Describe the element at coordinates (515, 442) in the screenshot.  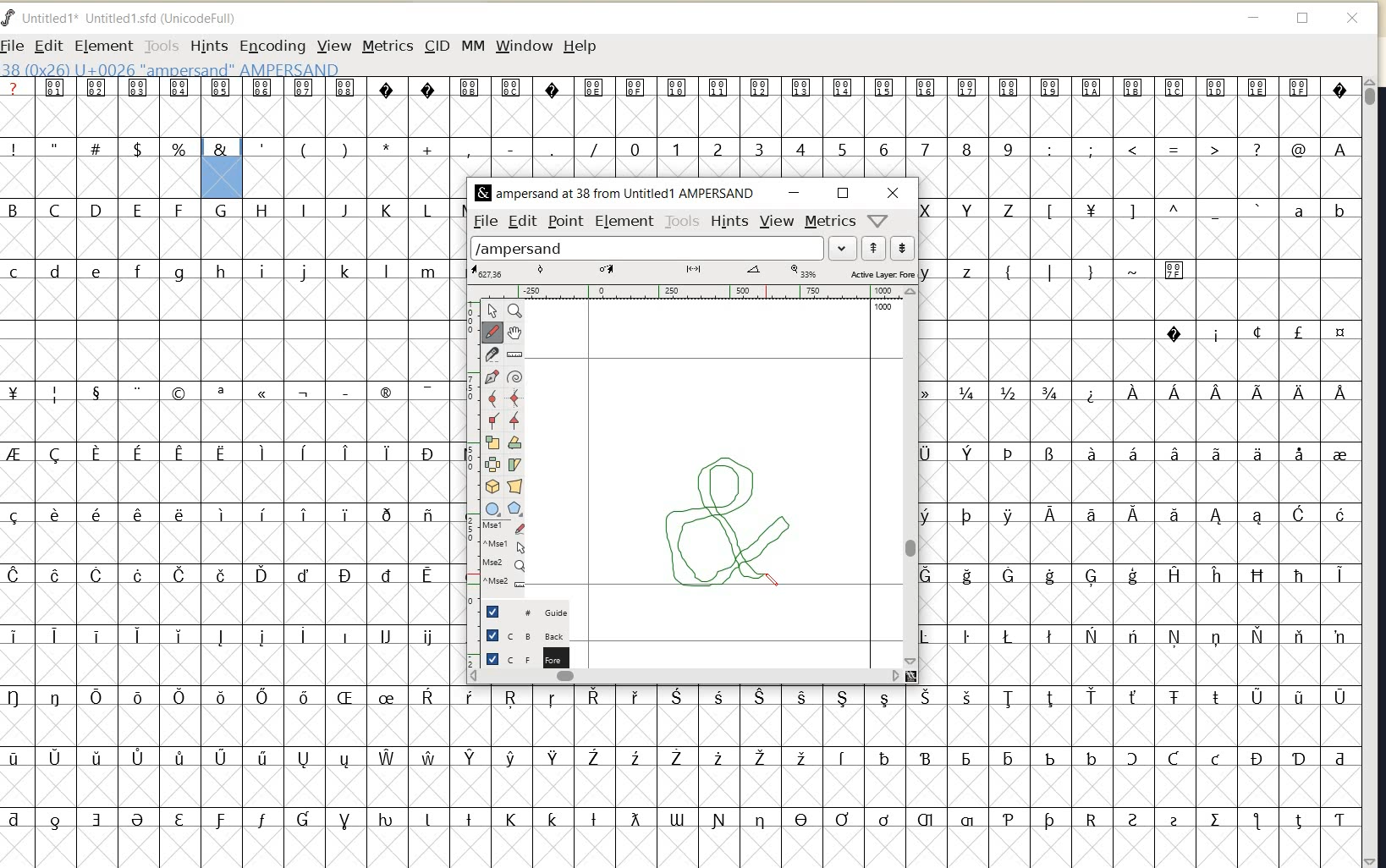
I see `rotate the selection` at that location.